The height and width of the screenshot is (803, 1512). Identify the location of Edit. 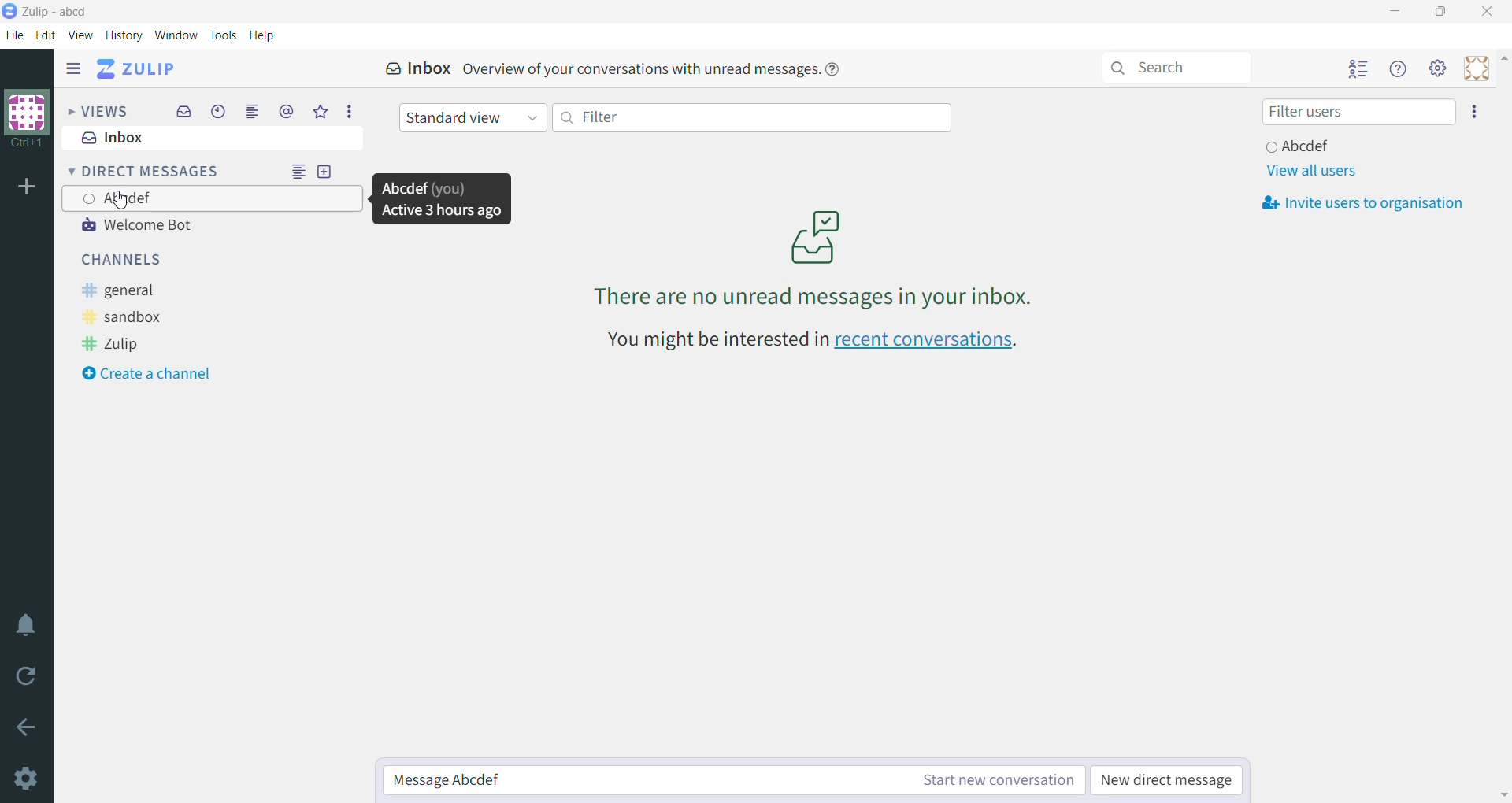
(48, 35).